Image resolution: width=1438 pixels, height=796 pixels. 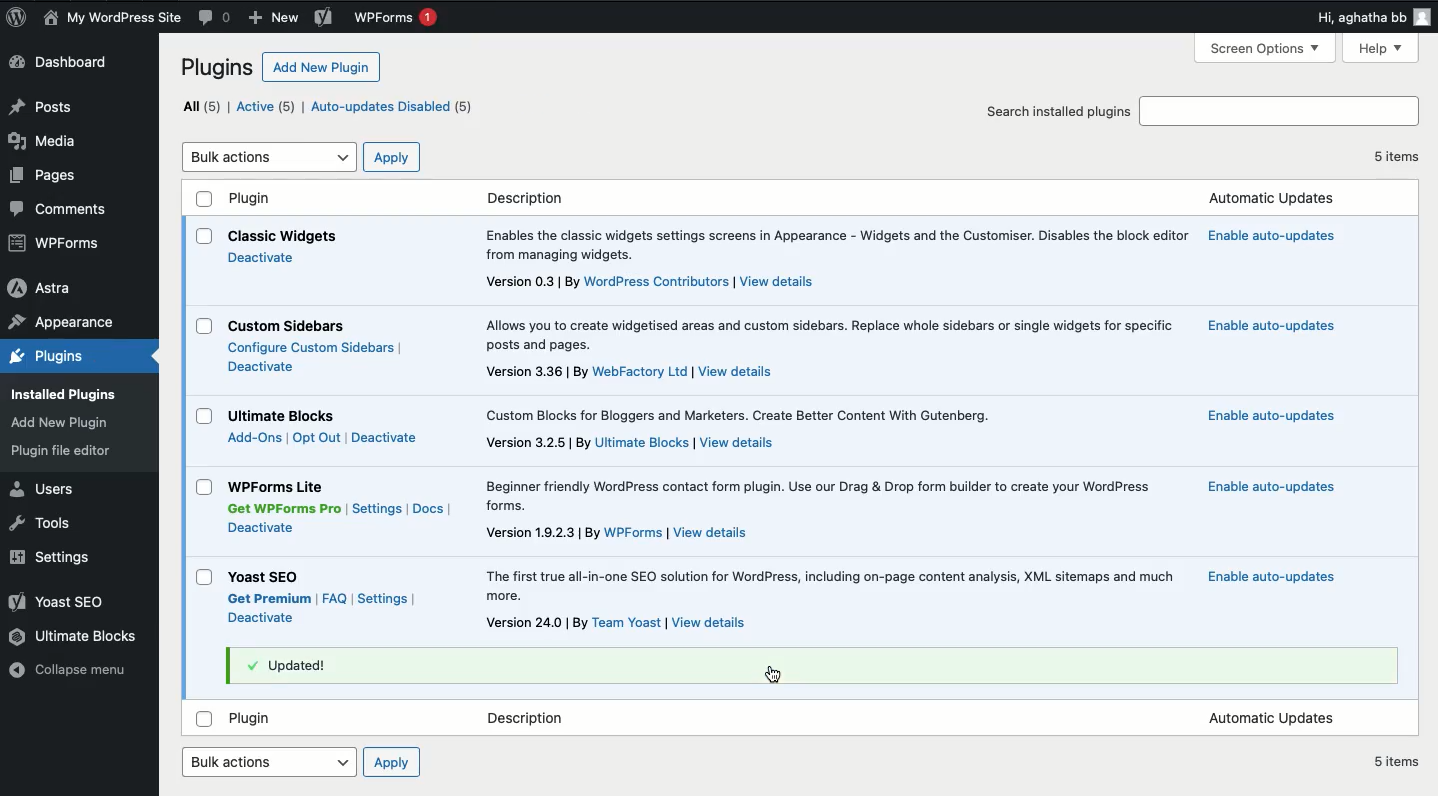 What do you see at coordinates (1269, 199) in the screenshot?
I see `Automatic updates` at bounding box center [1269, 199].